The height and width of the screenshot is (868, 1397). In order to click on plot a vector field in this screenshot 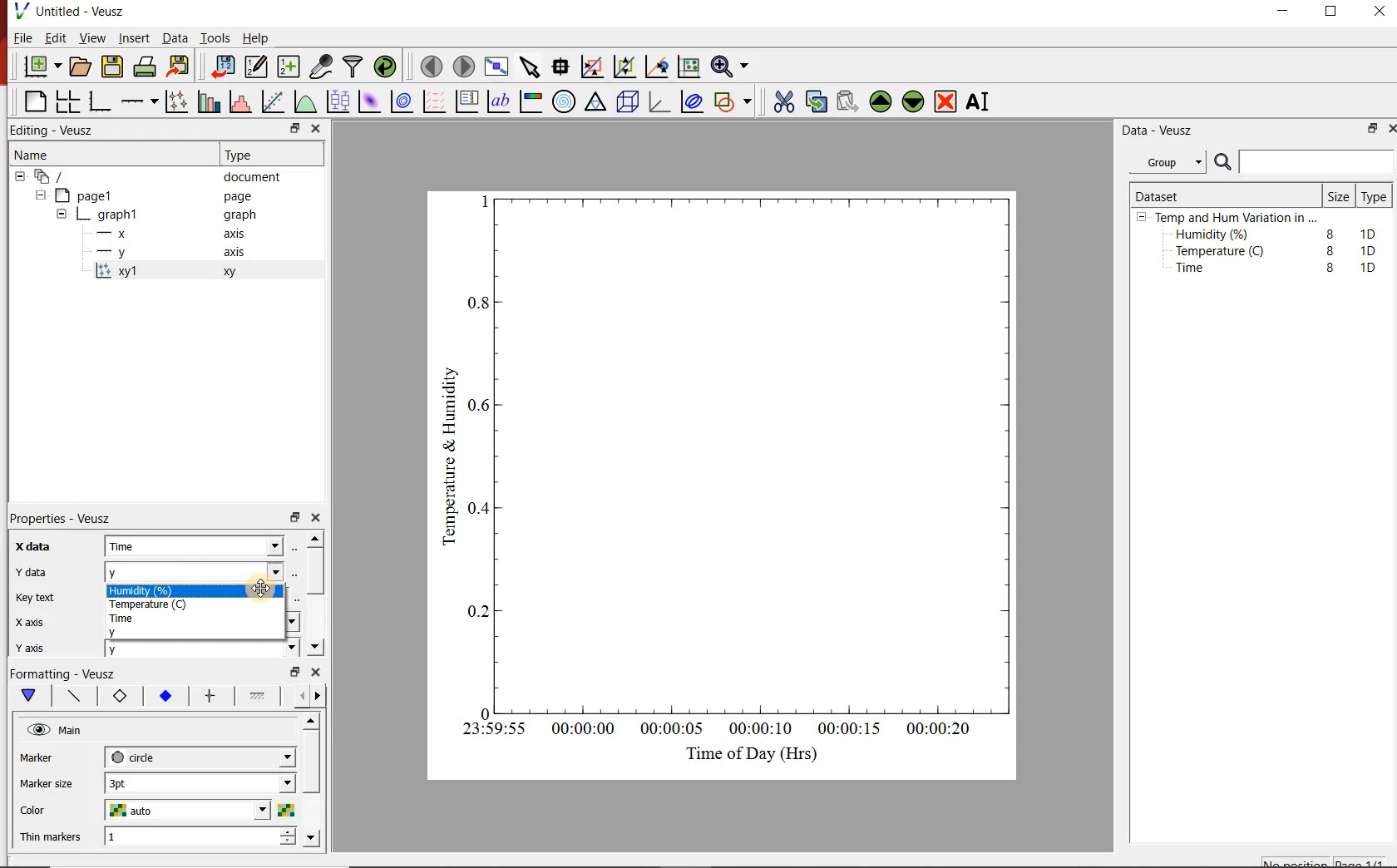, I will do `click(435, 101)`.